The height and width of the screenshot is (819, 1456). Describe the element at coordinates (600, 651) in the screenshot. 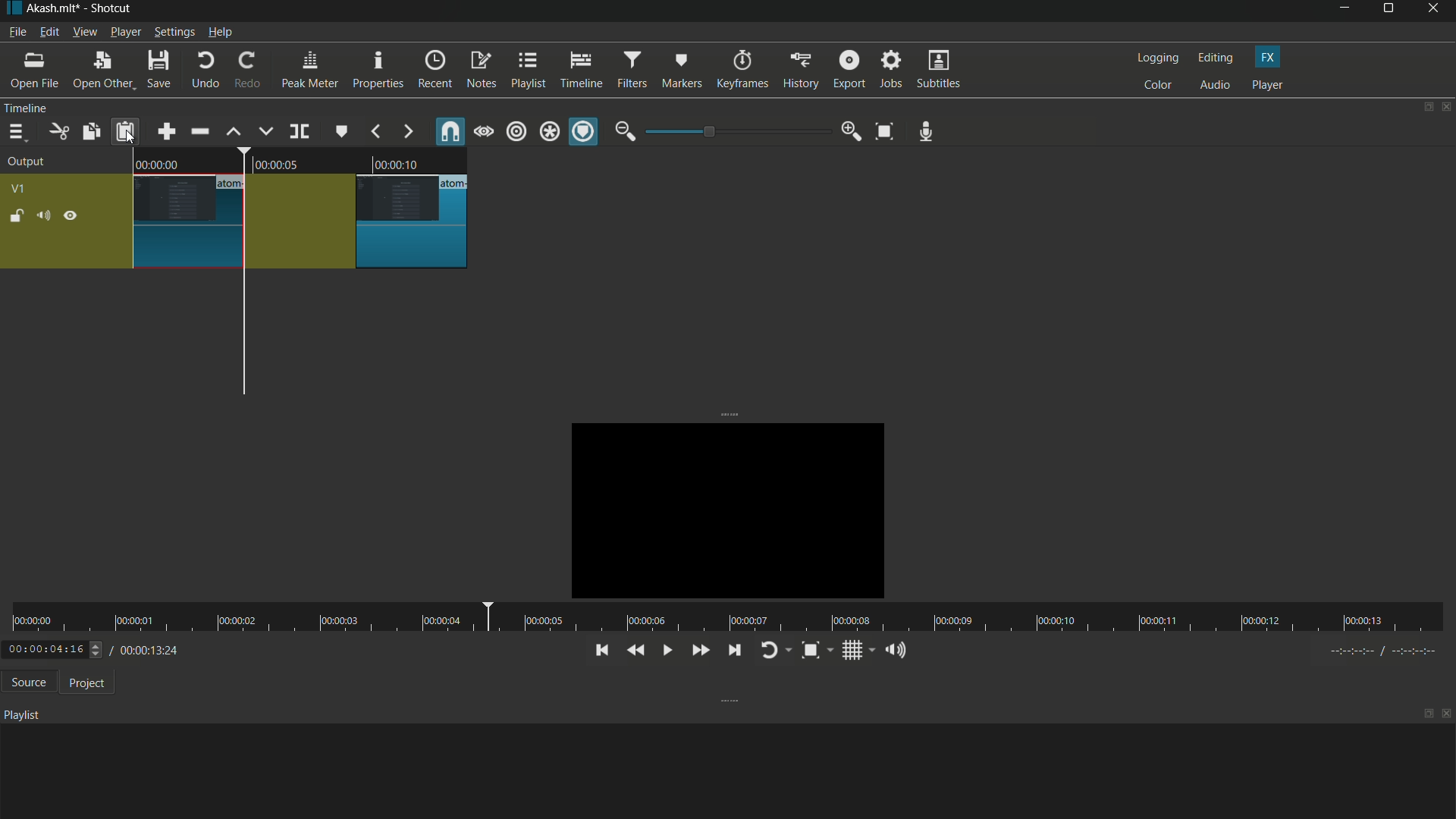

I see `skip to the previous point` at that location.